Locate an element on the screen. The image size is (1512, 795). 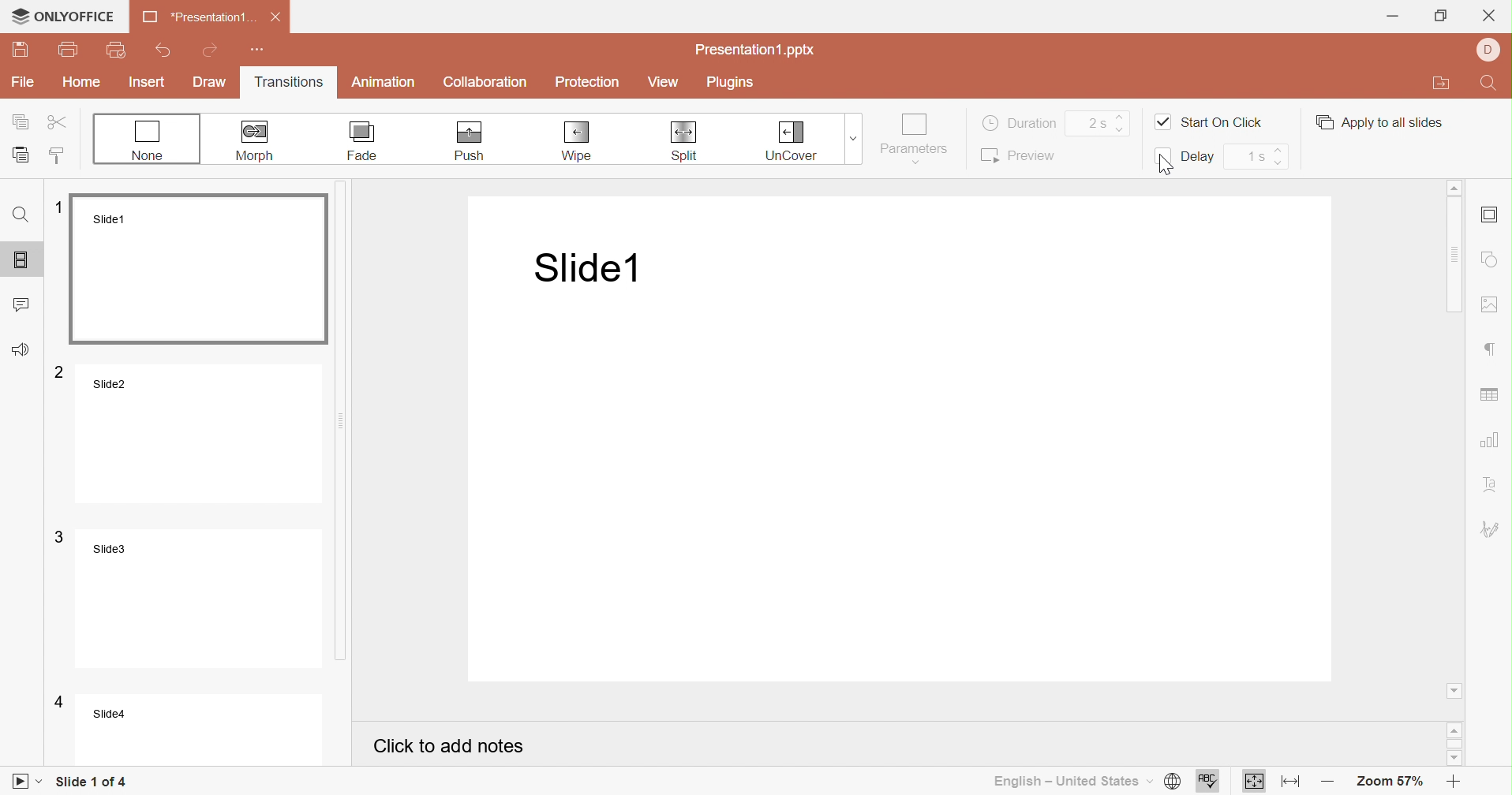
Zoom out is located at coordinates (1333, 779).